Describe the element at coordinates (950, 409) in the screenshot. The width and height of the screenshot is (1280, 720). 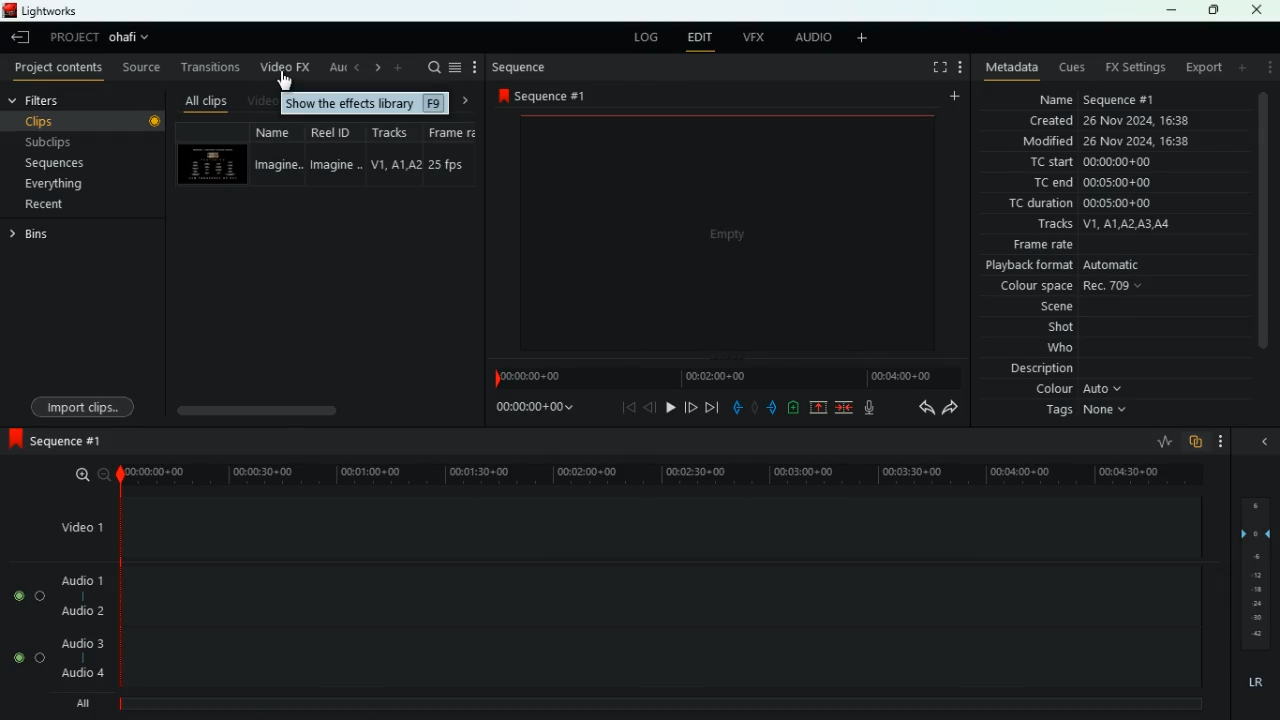
I see `forward` at that location.